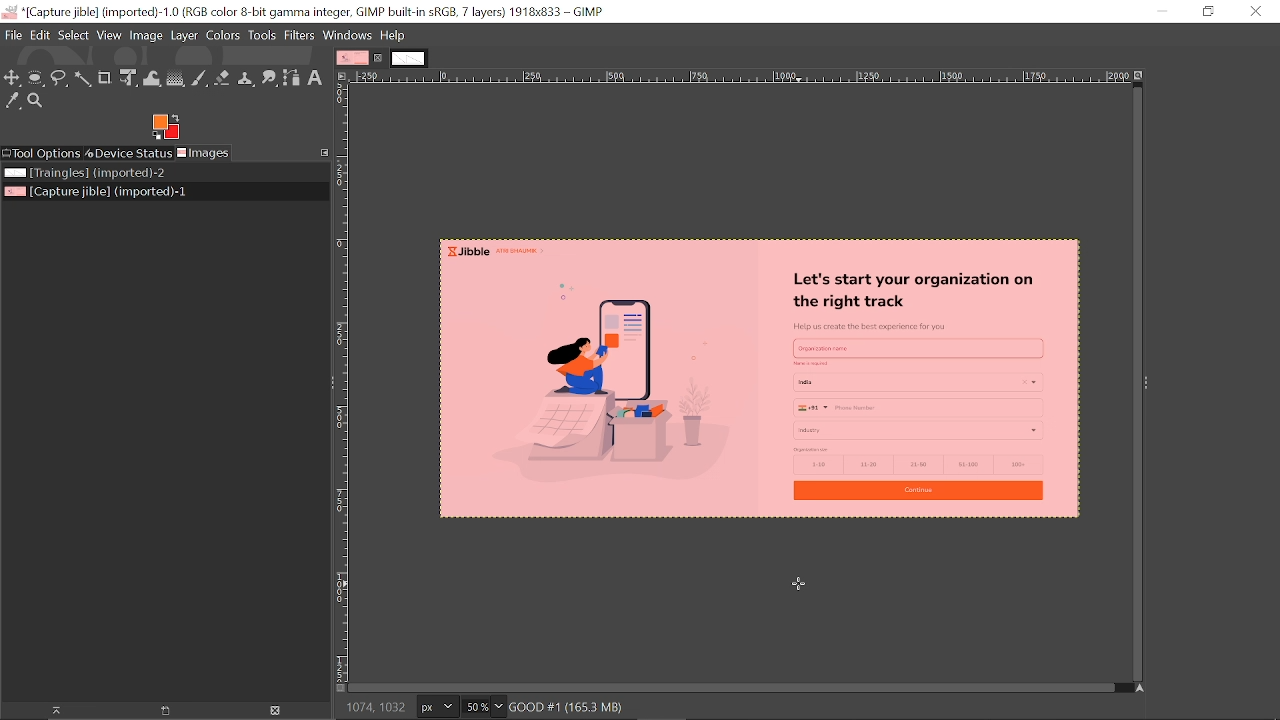 This screenshot has width=1280, height=720. I want to click on Current zoom, so click(478, 706).